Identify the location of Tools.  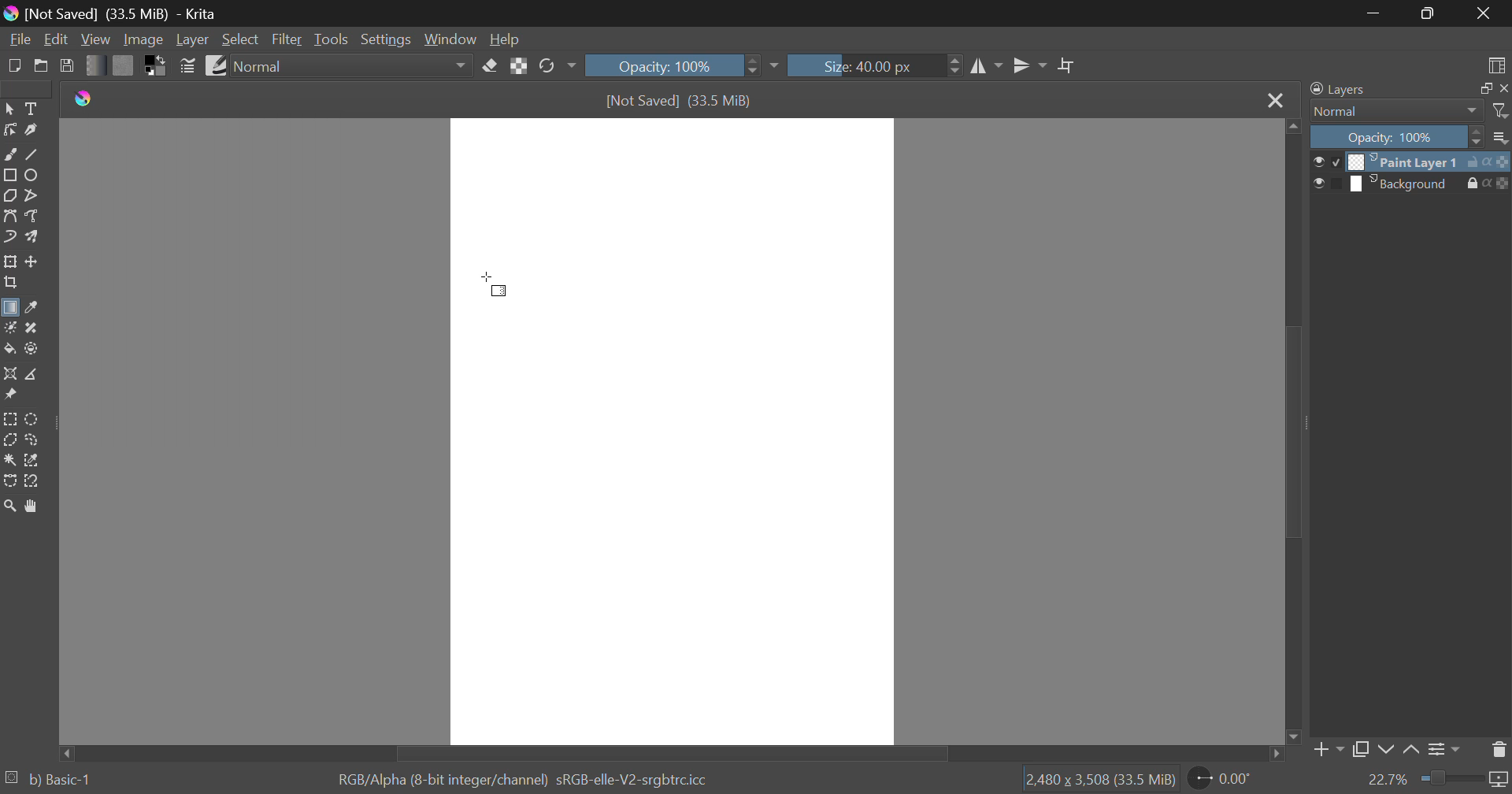
(331, 39).